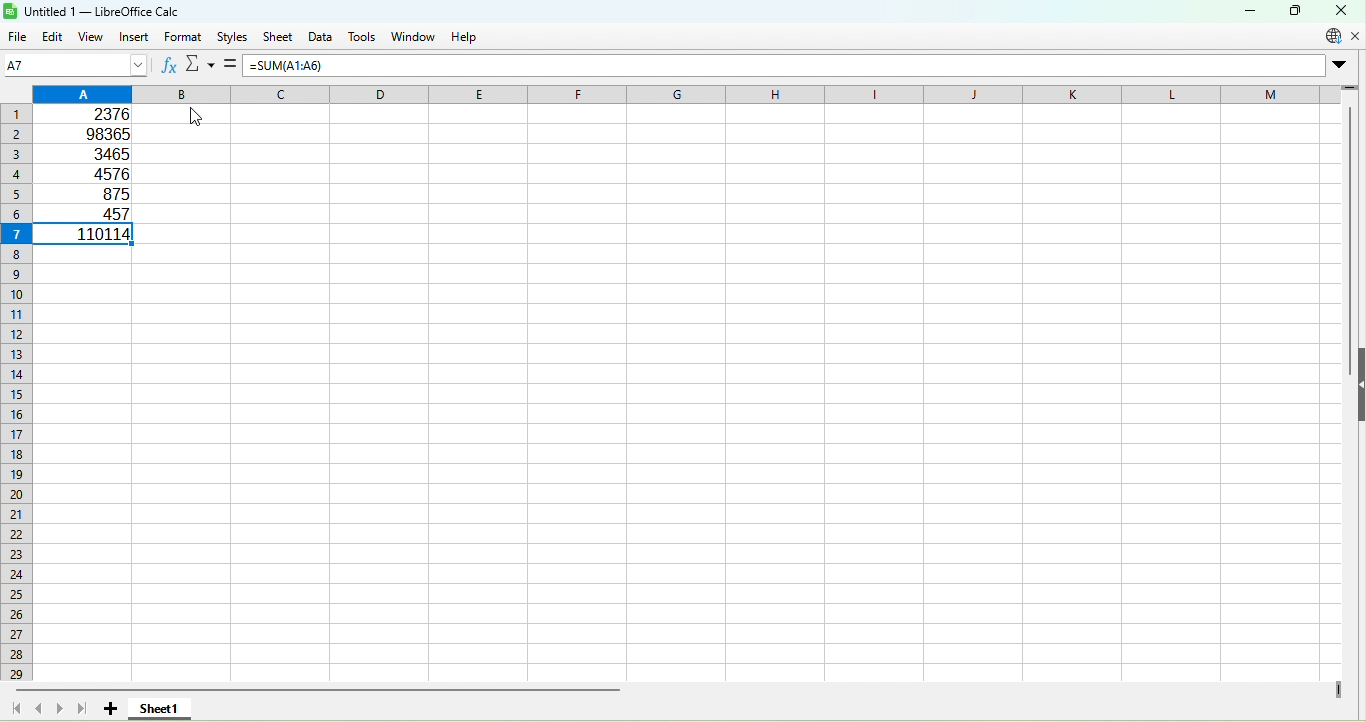 The height and width of the screenshot is (722, 1366). I want to click on Accept, so click(224, 62).